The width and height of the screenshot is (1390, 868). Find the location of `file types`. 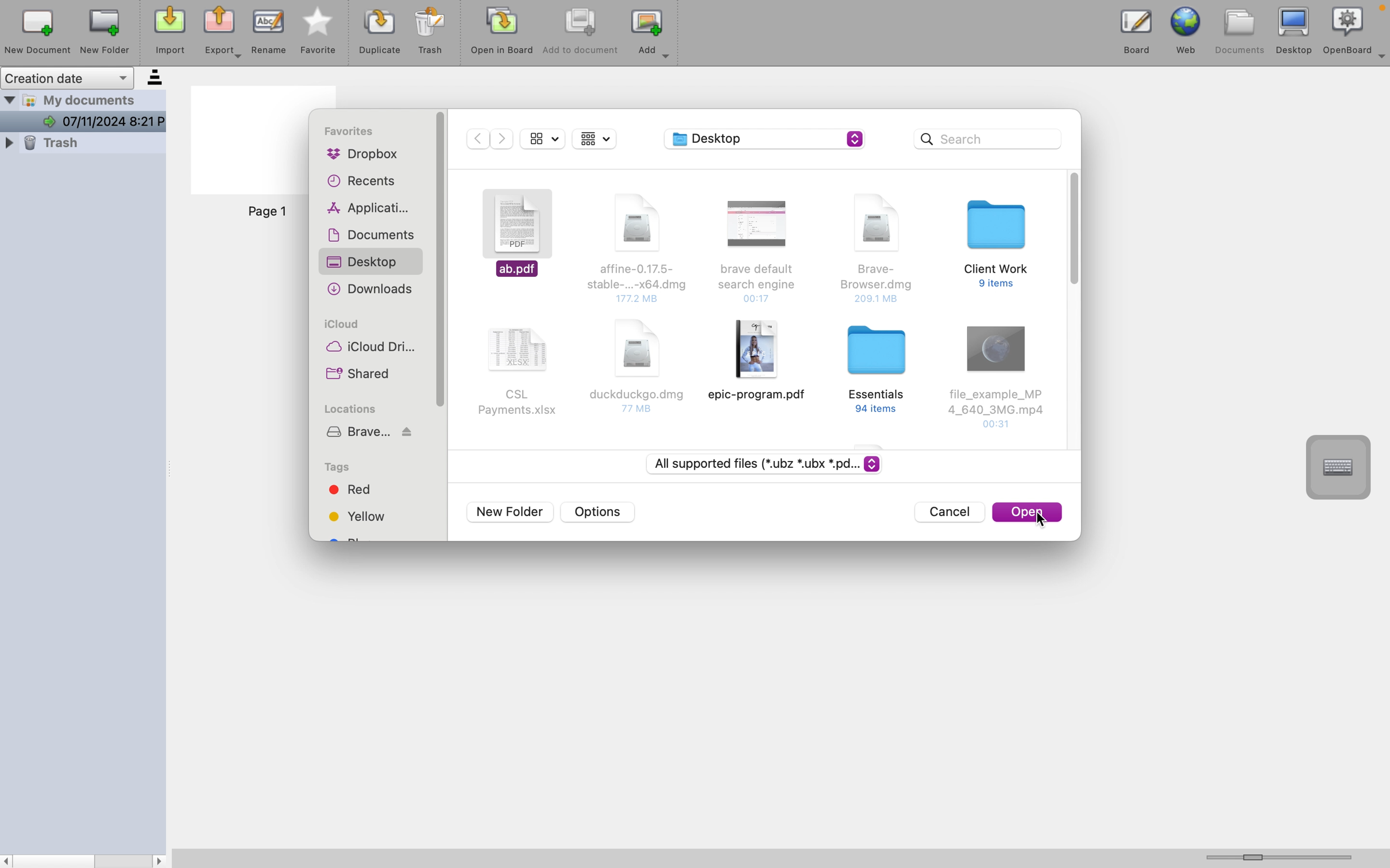

file types is located at coordinates (766, 463).